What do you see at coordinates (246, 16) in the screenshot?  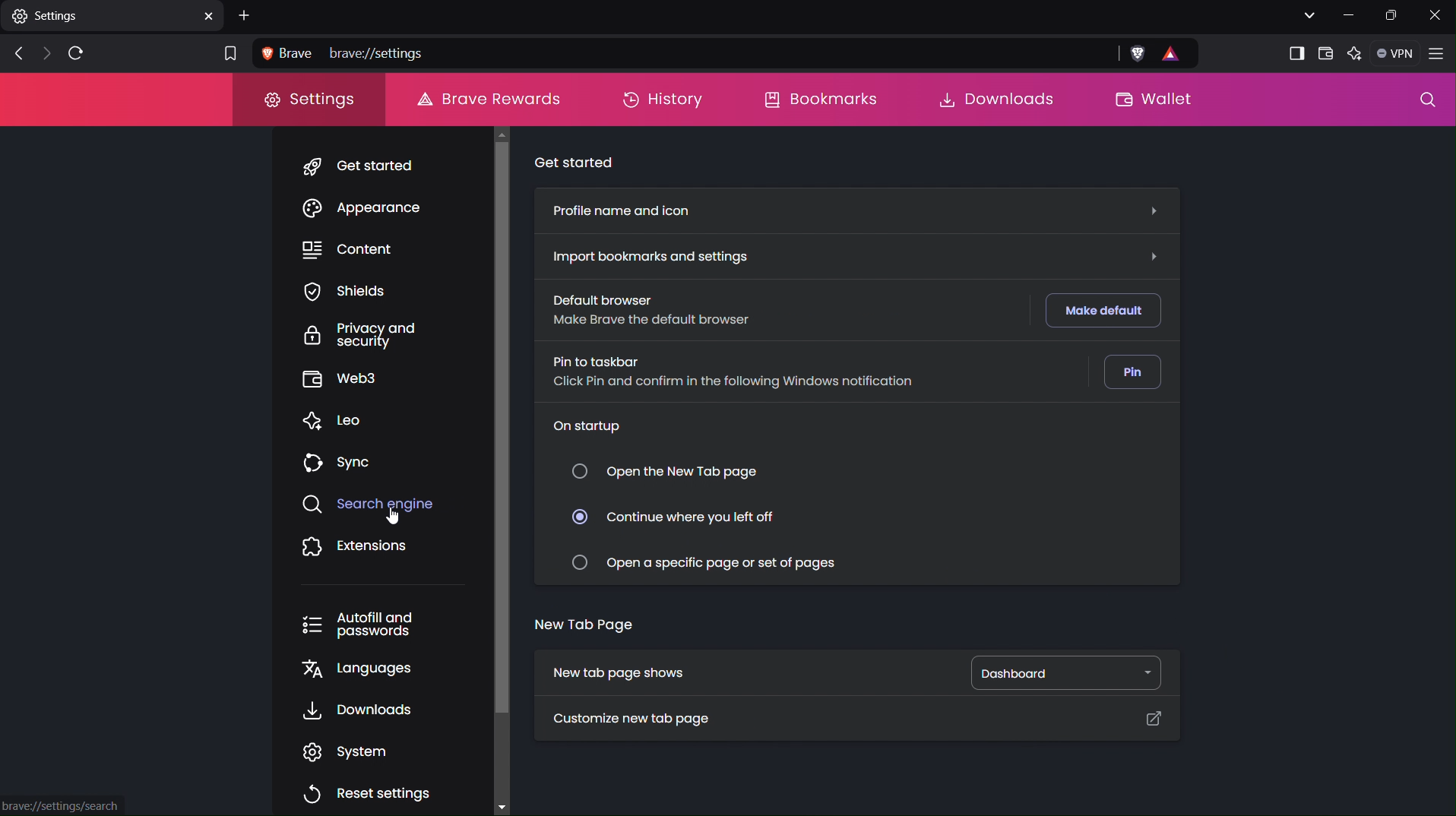 I see `Add New Tab` at bounding box center [246, 16].